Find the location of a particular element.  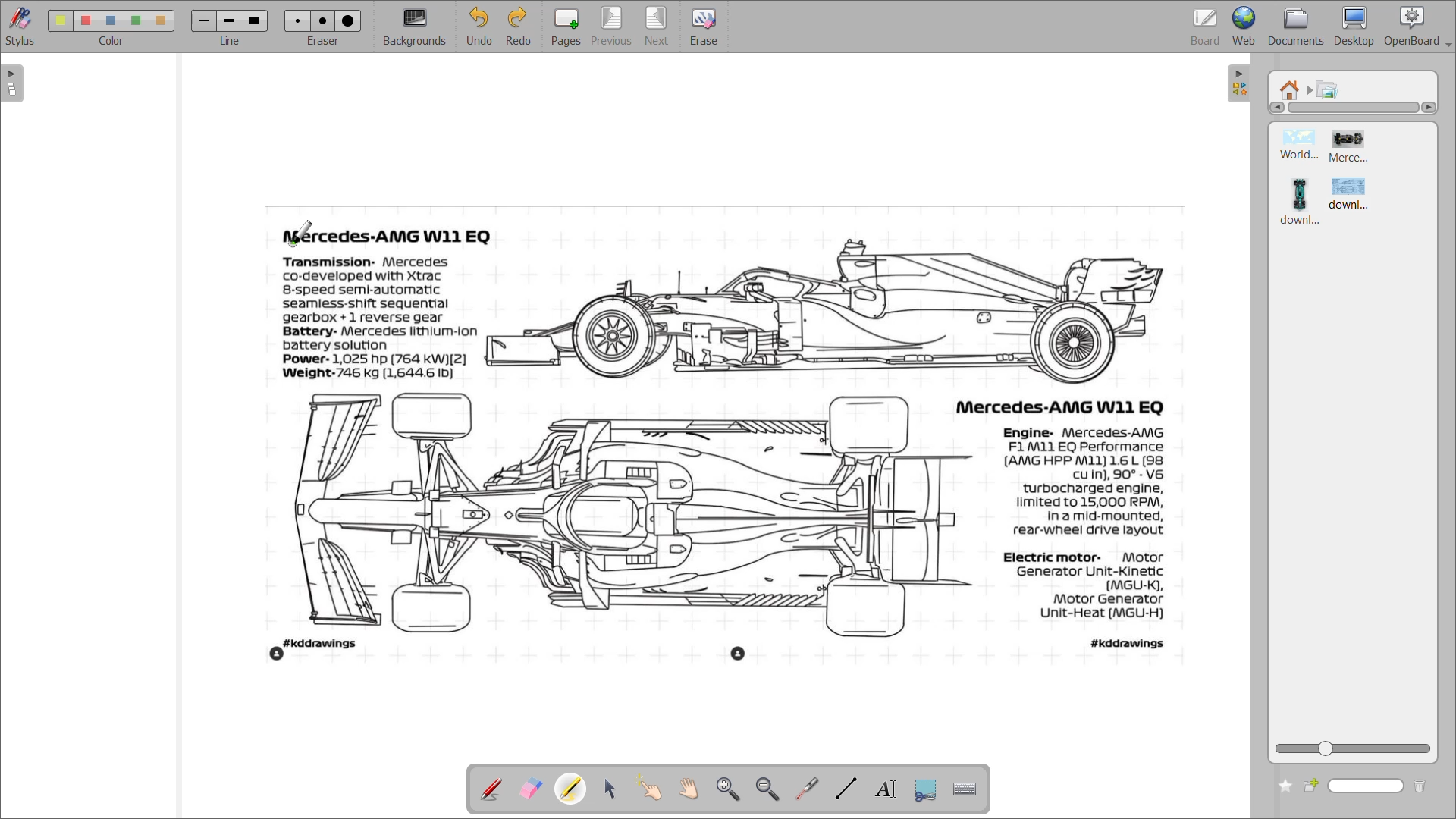

image is located at coordinates (727, 432).